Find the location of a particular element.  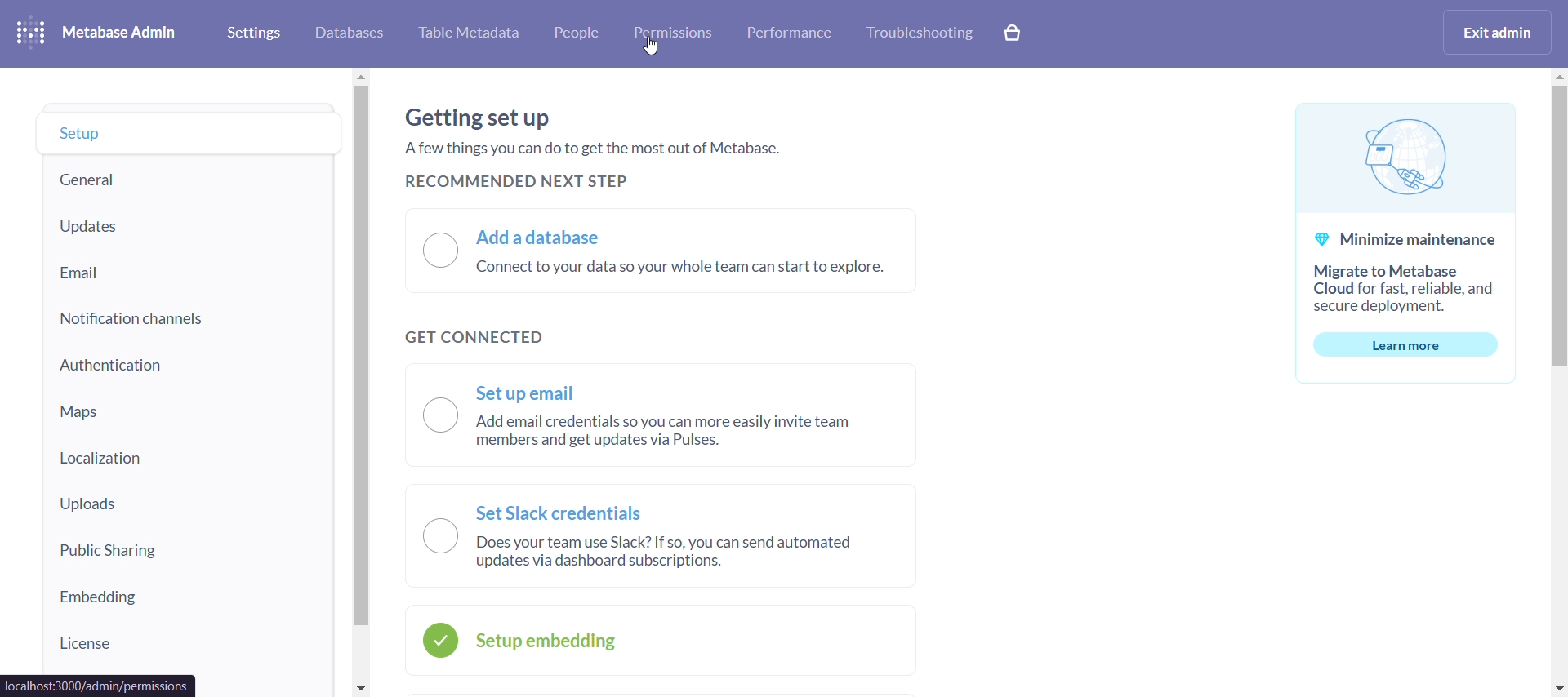

permissions is located at coordinates (670, 36).